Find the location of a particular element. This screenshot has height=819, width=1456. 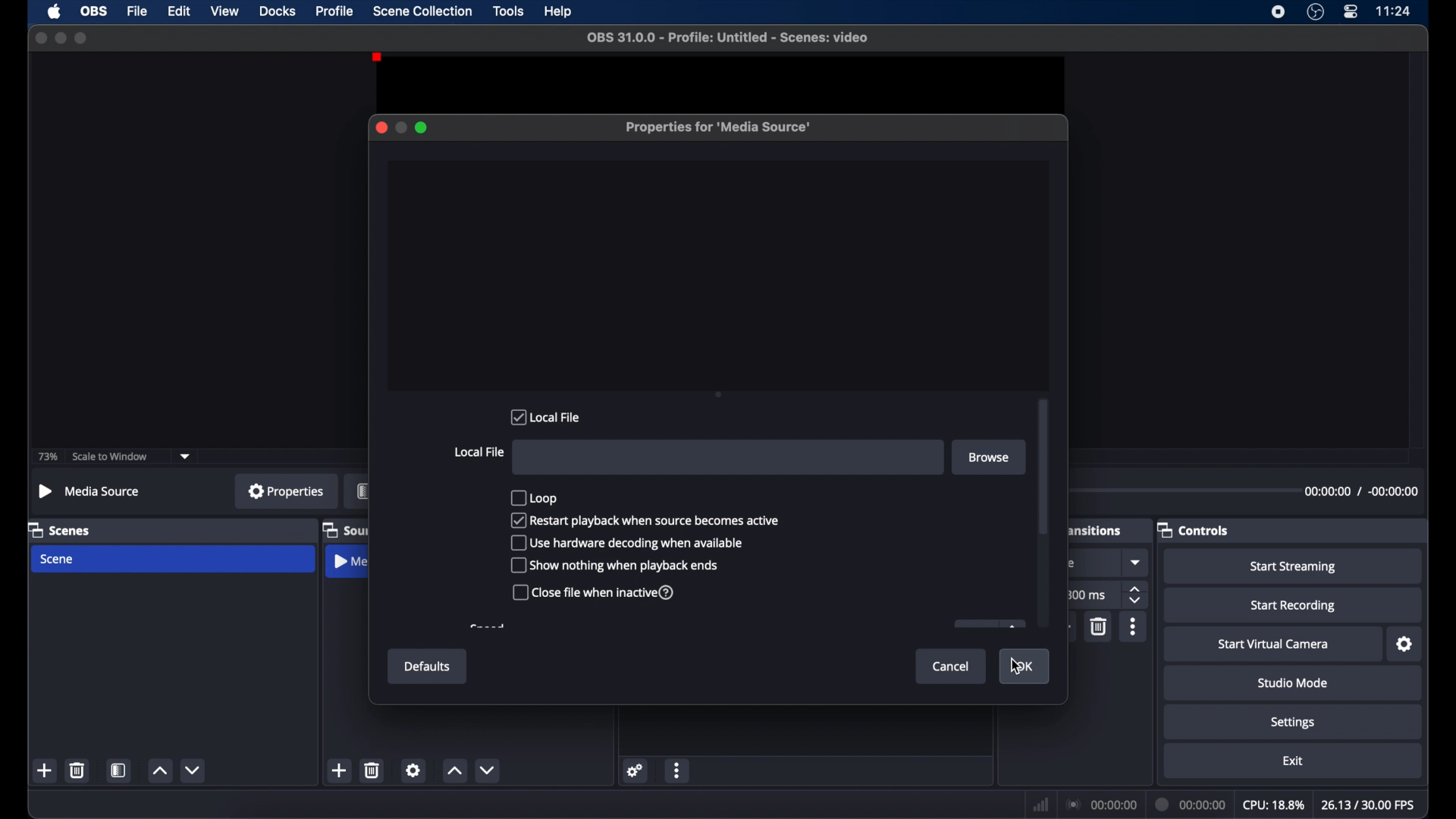

use hardware decoding when available is located at coordinates (626, 543).